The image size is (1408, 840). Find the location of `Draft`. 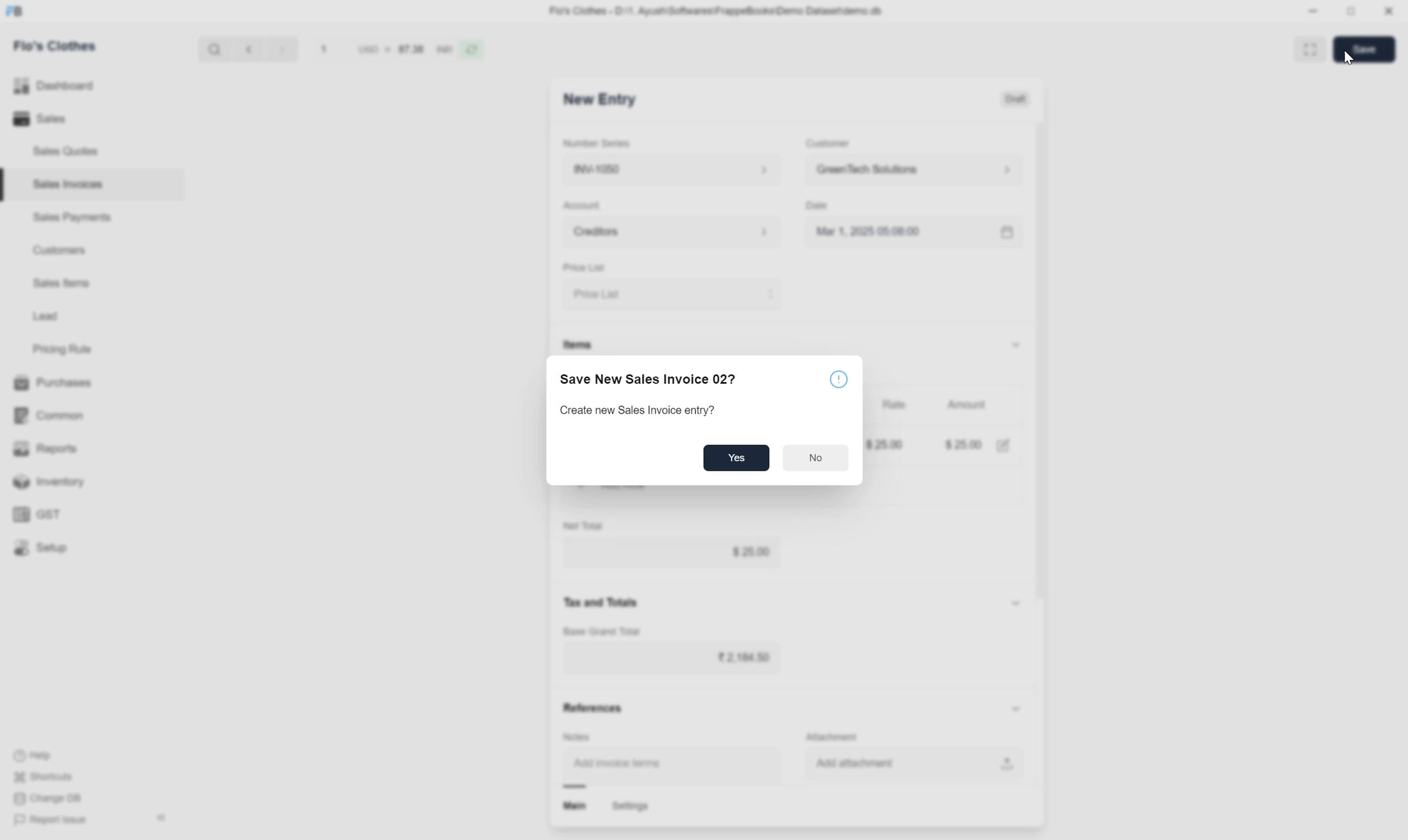

Draft is located at coordinates (1015, 100).